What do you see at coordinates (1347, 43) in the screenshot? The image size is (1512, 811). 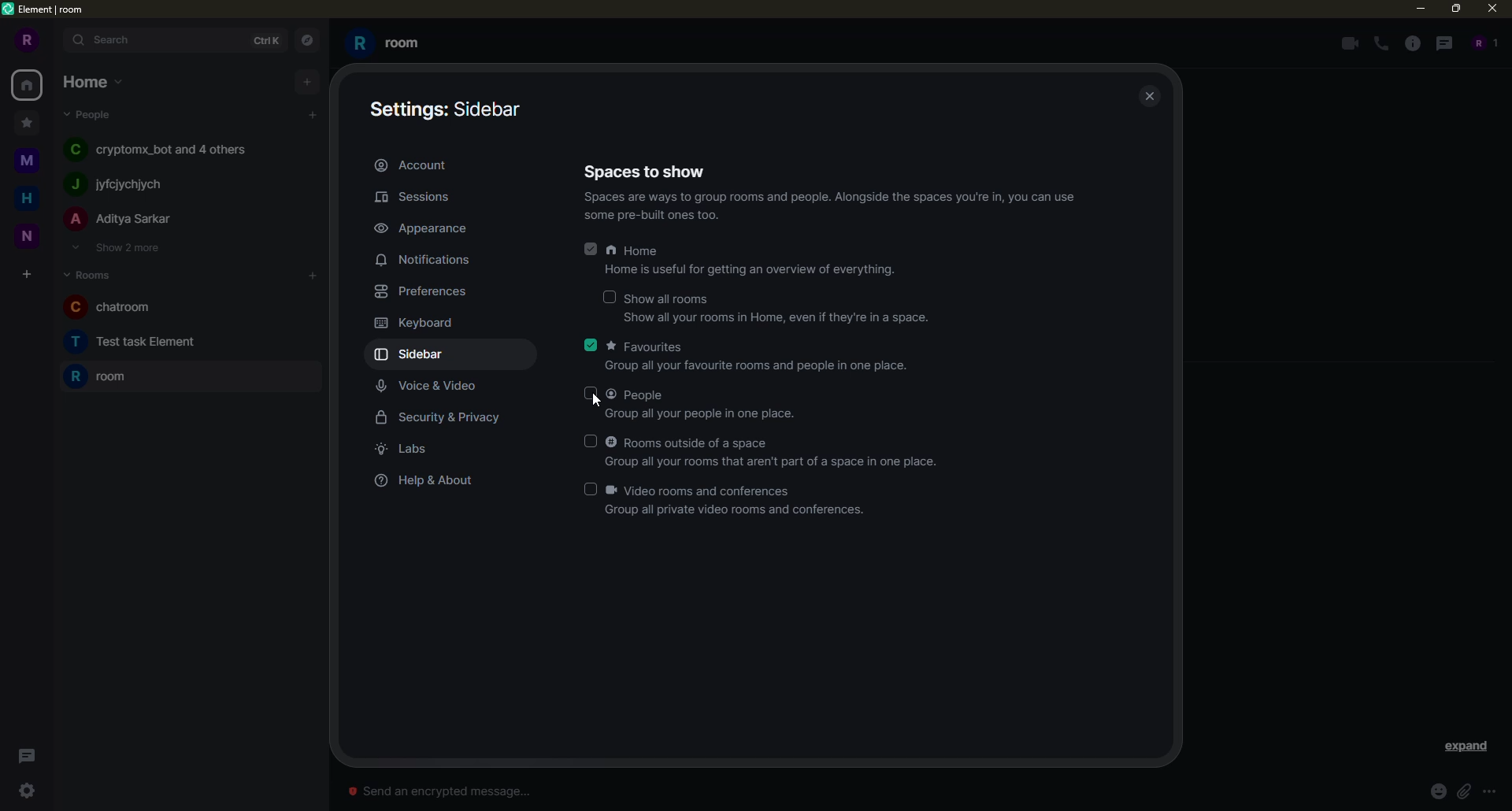 I see `video call` at bounding box center [1347, 43].